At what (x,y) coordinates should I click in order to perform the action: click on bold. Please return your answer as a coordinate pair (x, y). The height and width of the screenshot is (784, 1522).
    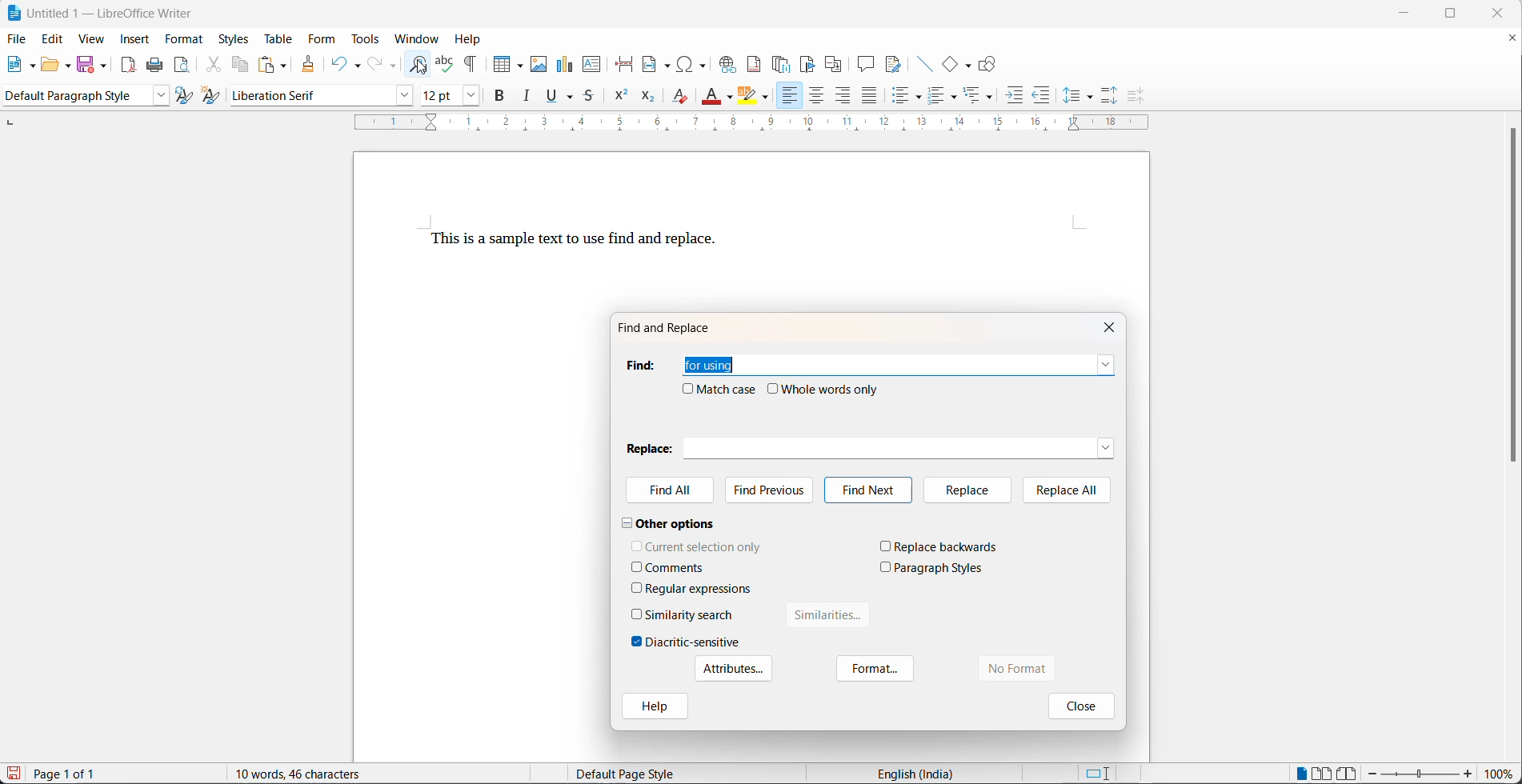
    Looking at the image, I should click on (501, 98).